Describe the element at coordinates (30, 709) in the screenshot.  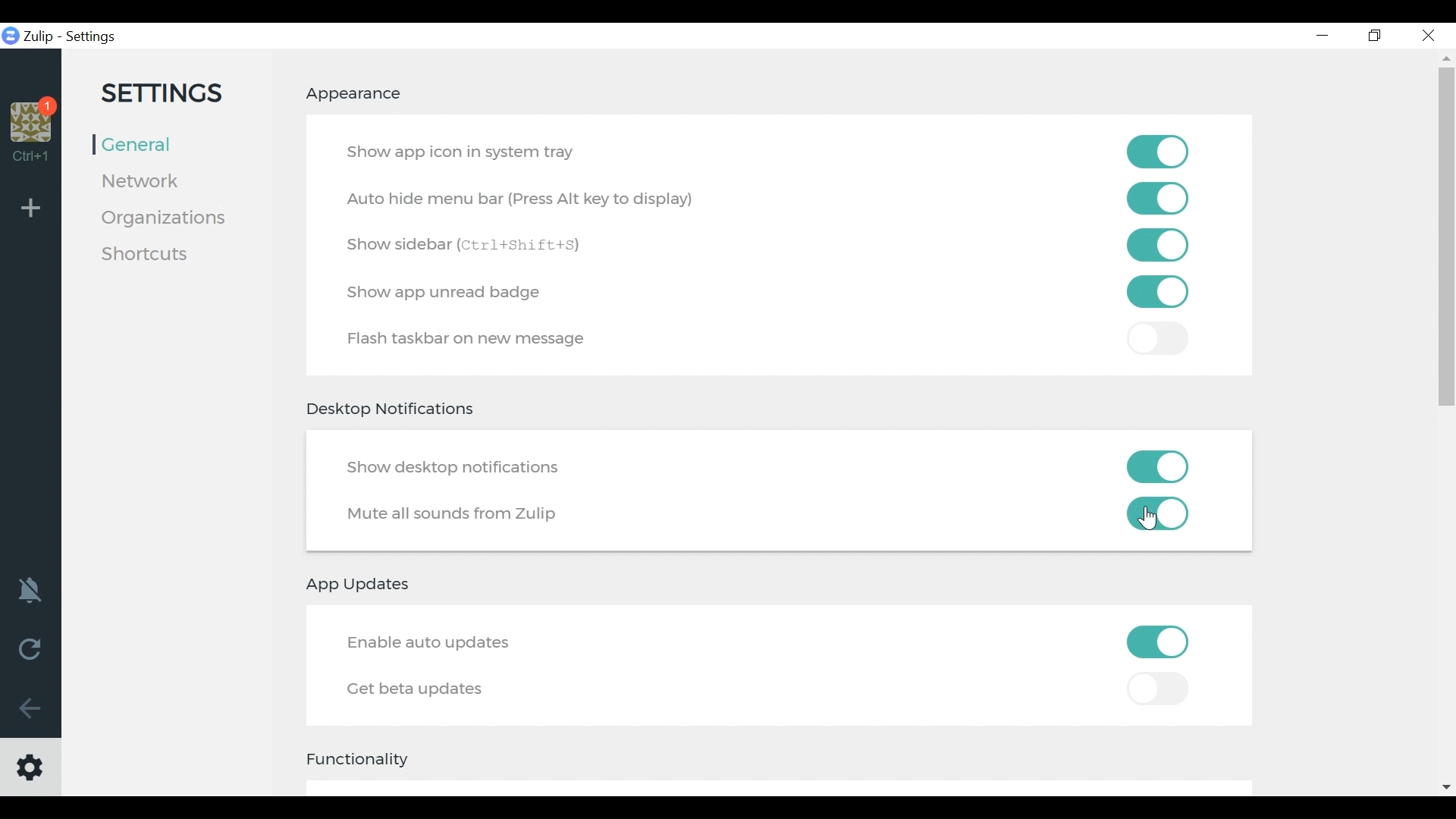
I see `Go Back` at that location.